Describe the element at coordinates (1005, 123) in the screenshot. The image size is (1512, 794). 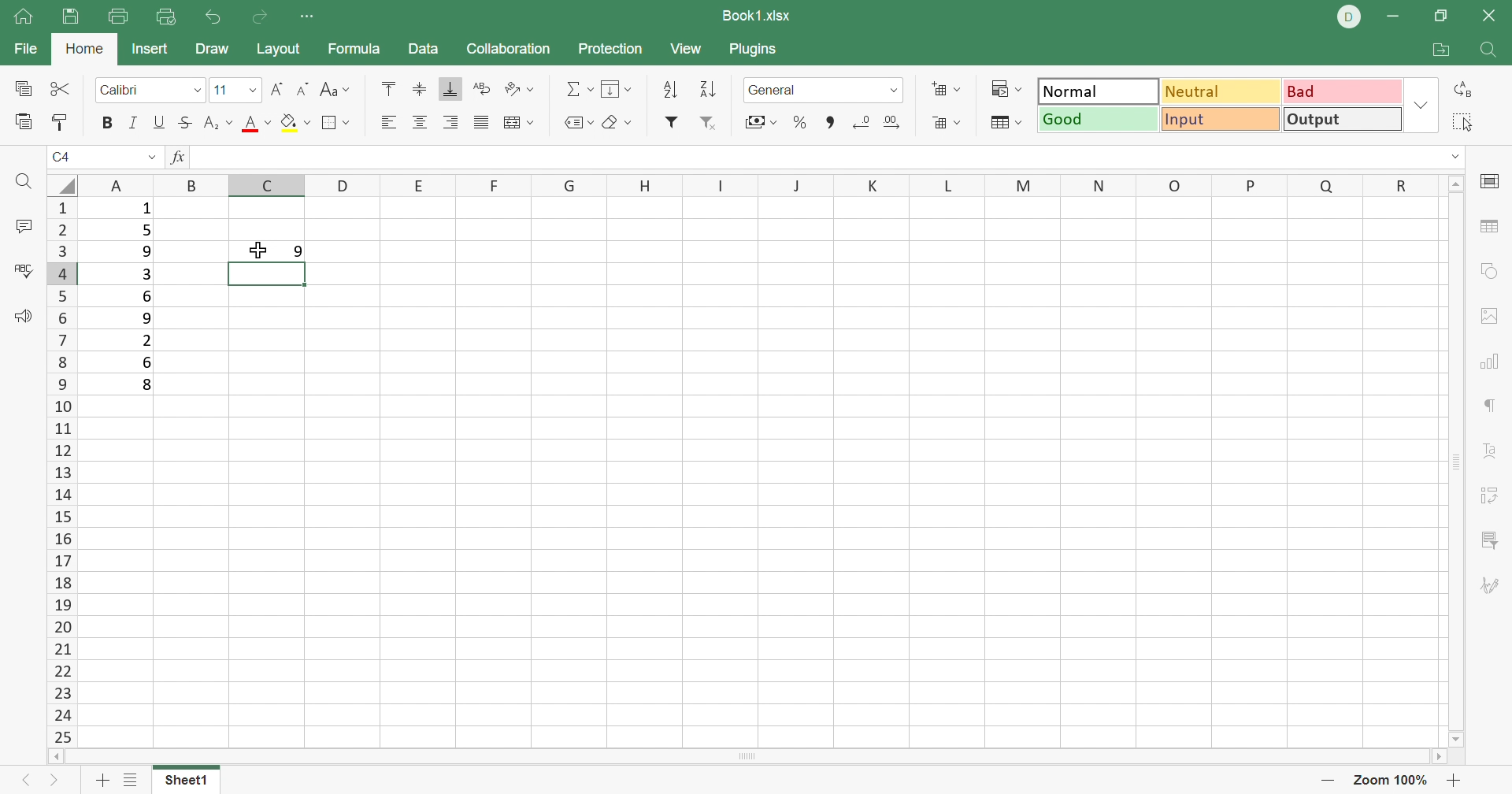
I see `Format table as template` at that location.